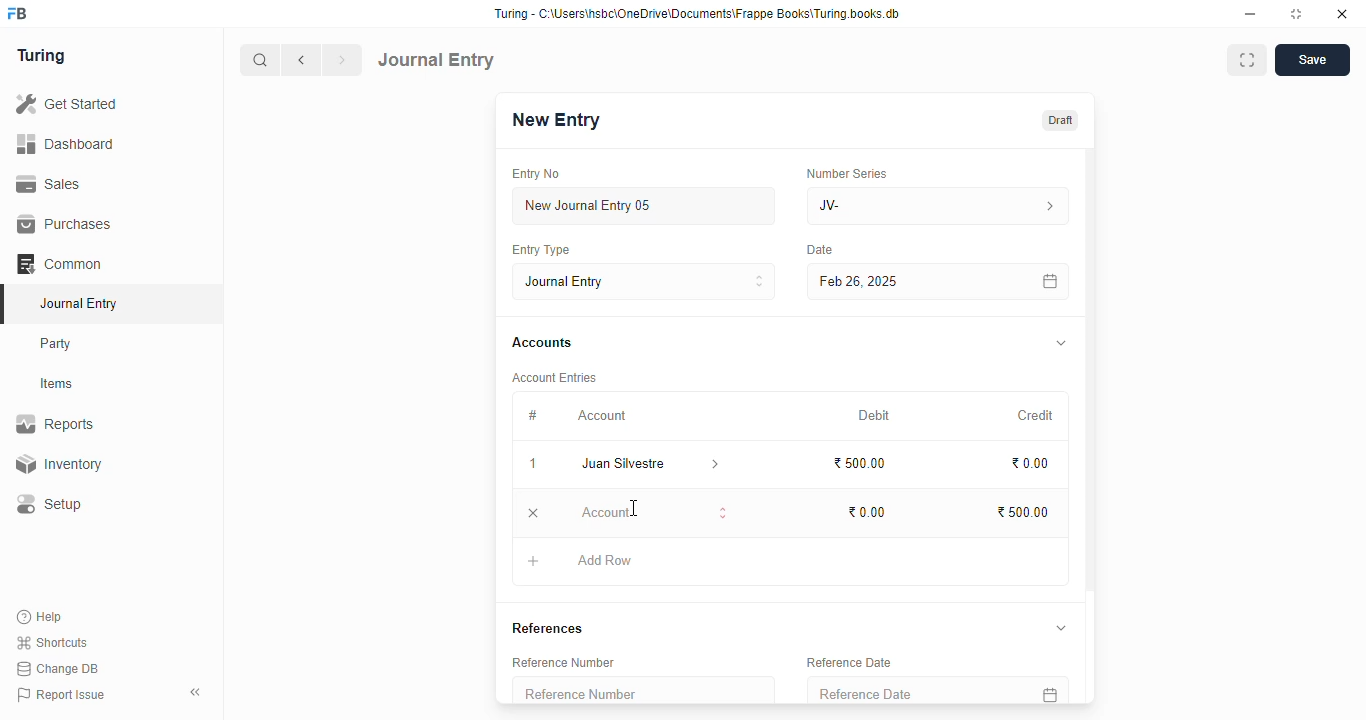 This screenshot has width=1366, height=720. I want to click on common, so click(61, 264).